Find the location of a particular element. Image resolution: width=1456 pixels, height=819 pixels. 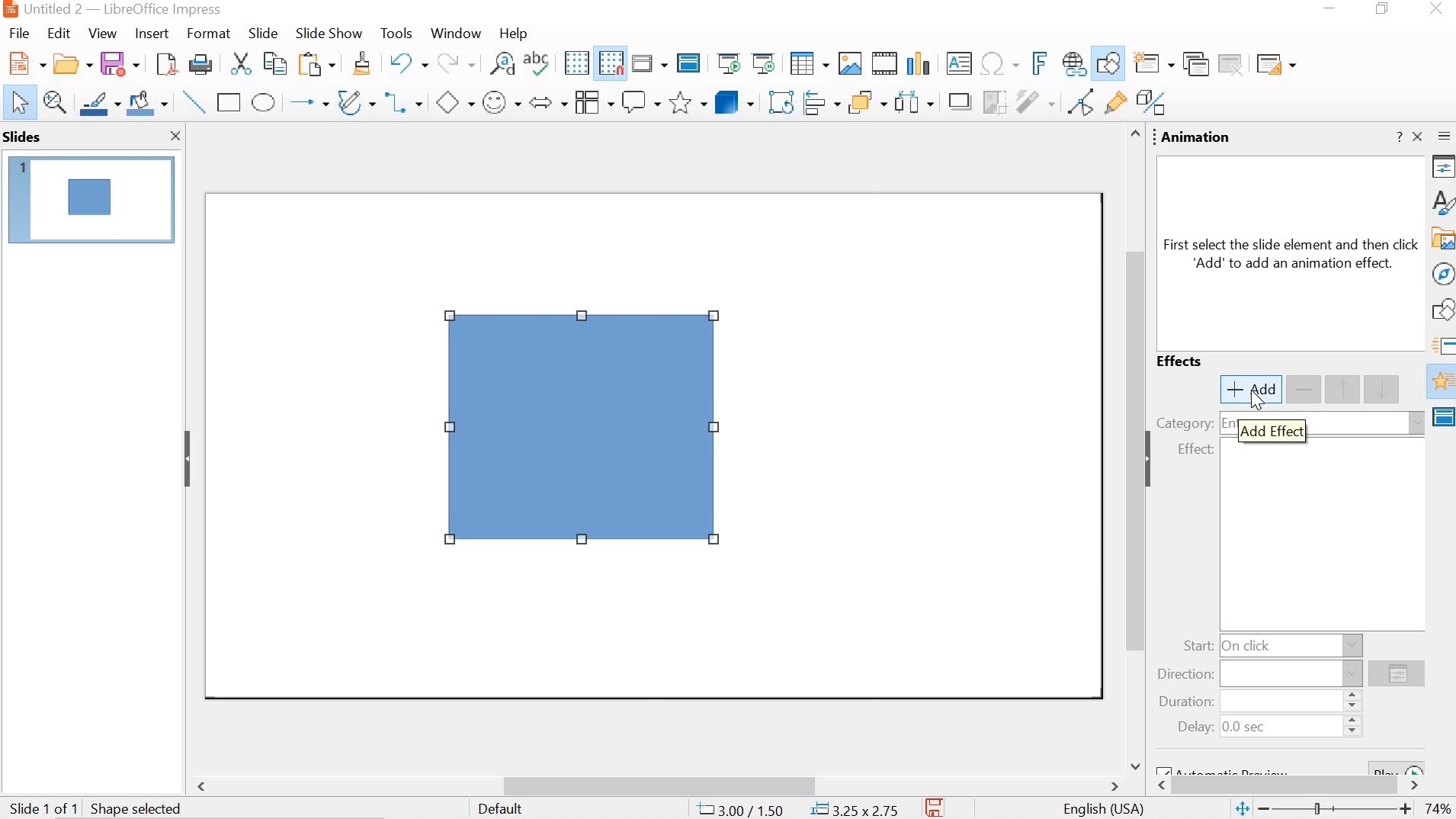

callout shapes is located at coordinates (640, 101).